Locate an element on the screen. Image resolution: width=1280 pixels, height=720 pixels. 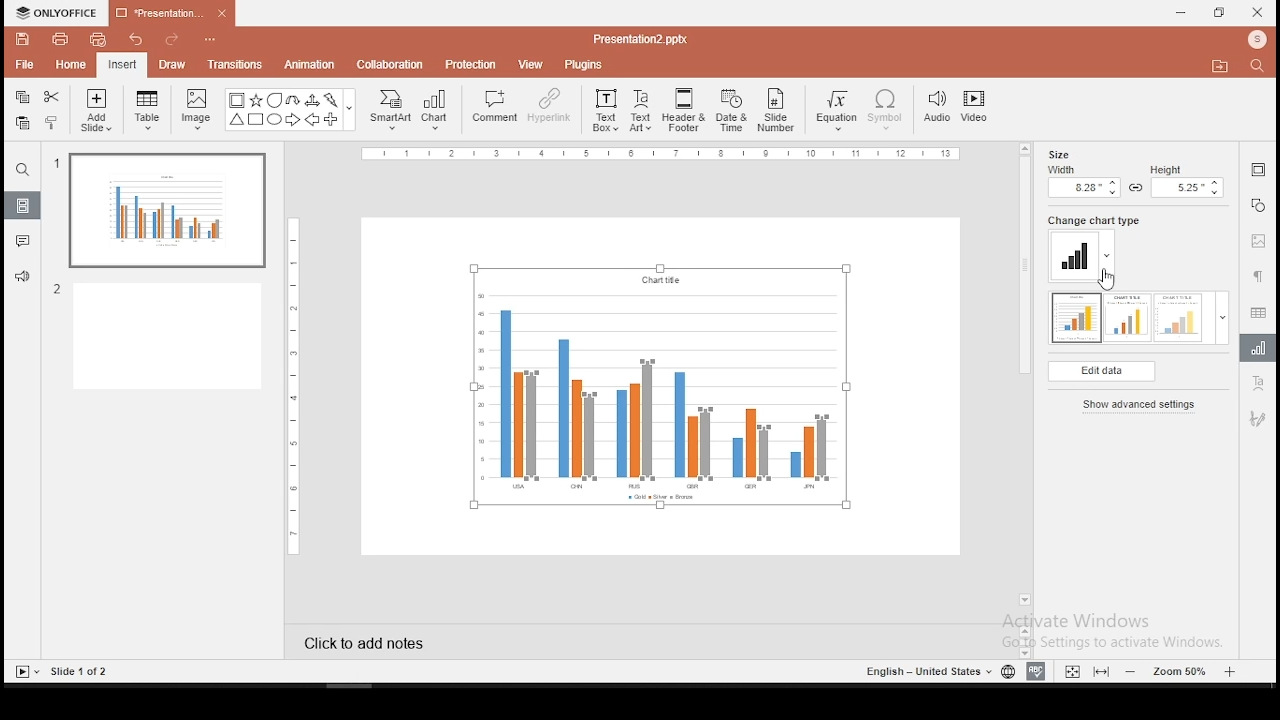
Slides is located at coordinates (62, 672).